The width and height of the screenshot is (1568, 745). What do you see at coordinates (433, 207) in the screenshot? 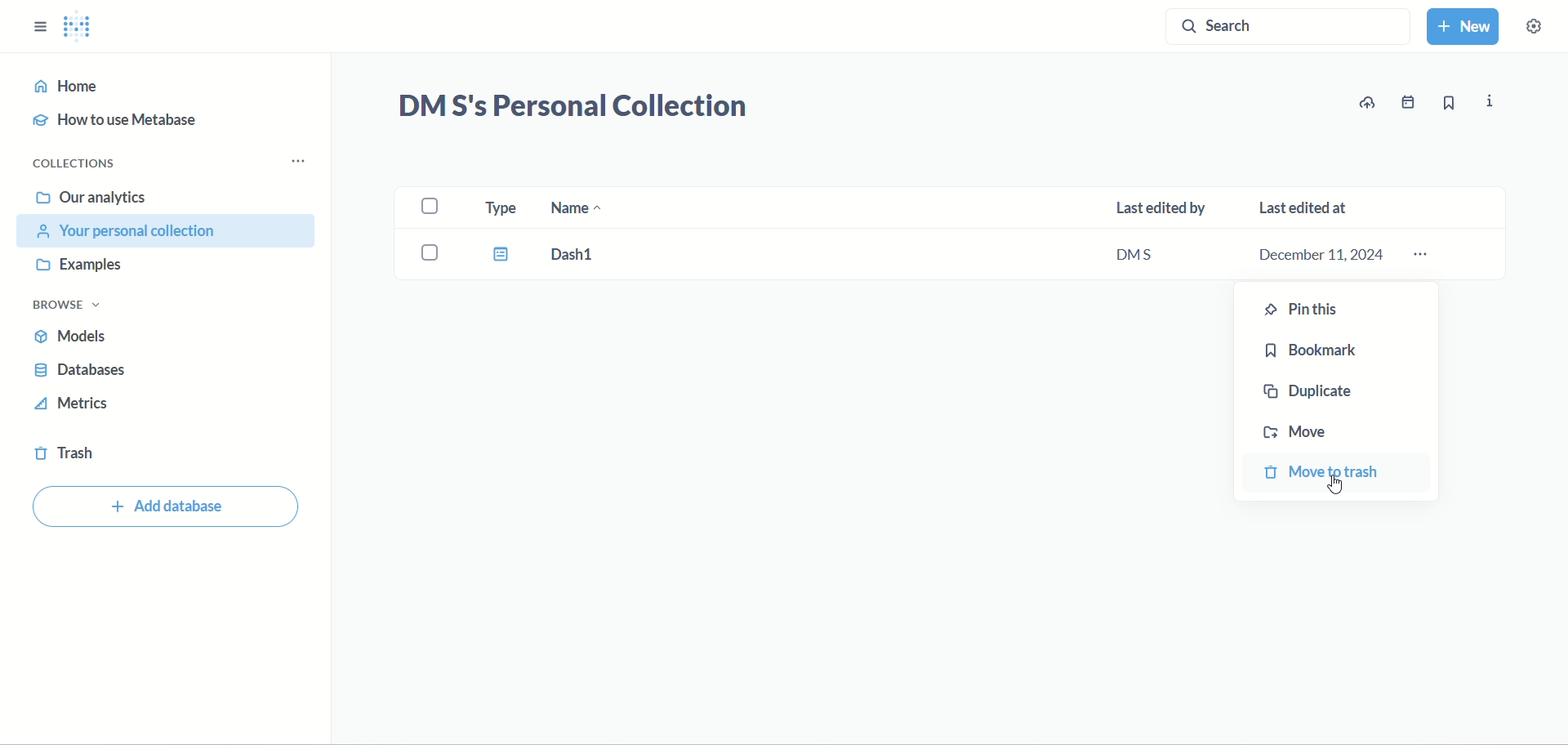
I see `select all checkbox` at bounding box center [433, 207].